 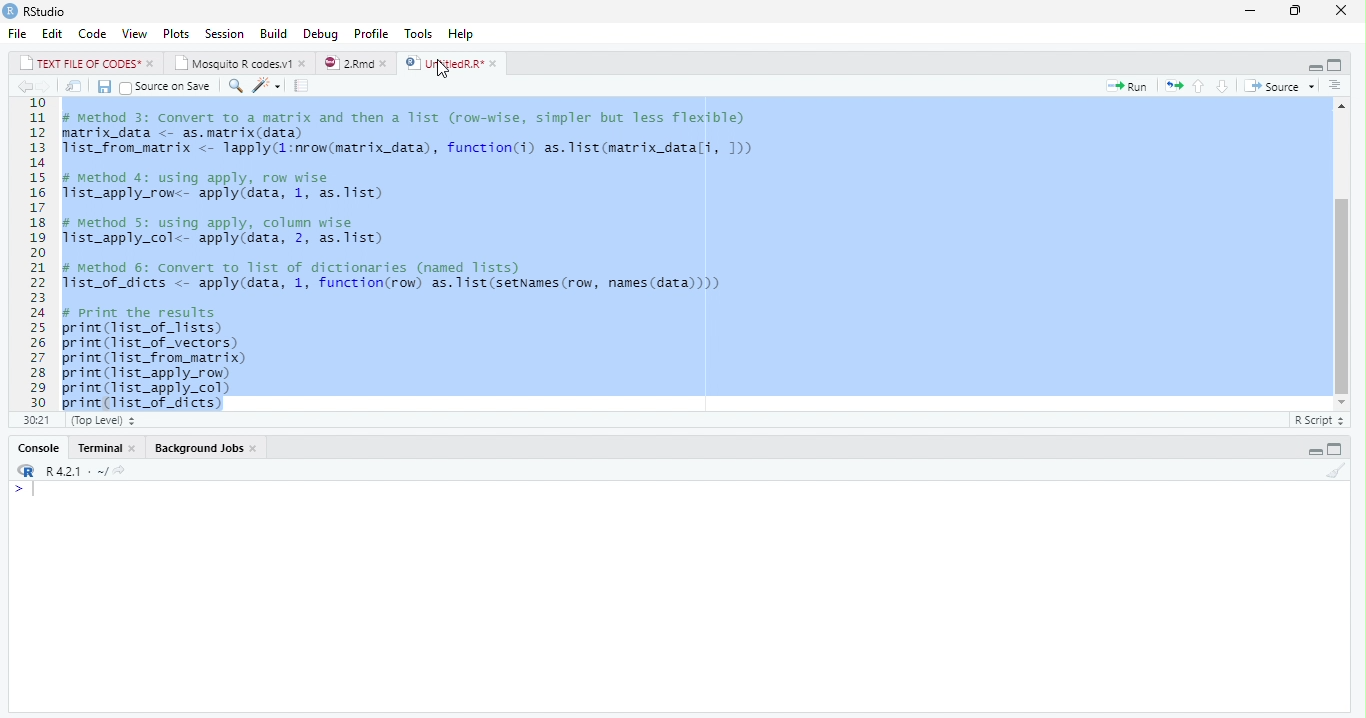 I want to click on scrollbar, so click(x=1341, y=254).